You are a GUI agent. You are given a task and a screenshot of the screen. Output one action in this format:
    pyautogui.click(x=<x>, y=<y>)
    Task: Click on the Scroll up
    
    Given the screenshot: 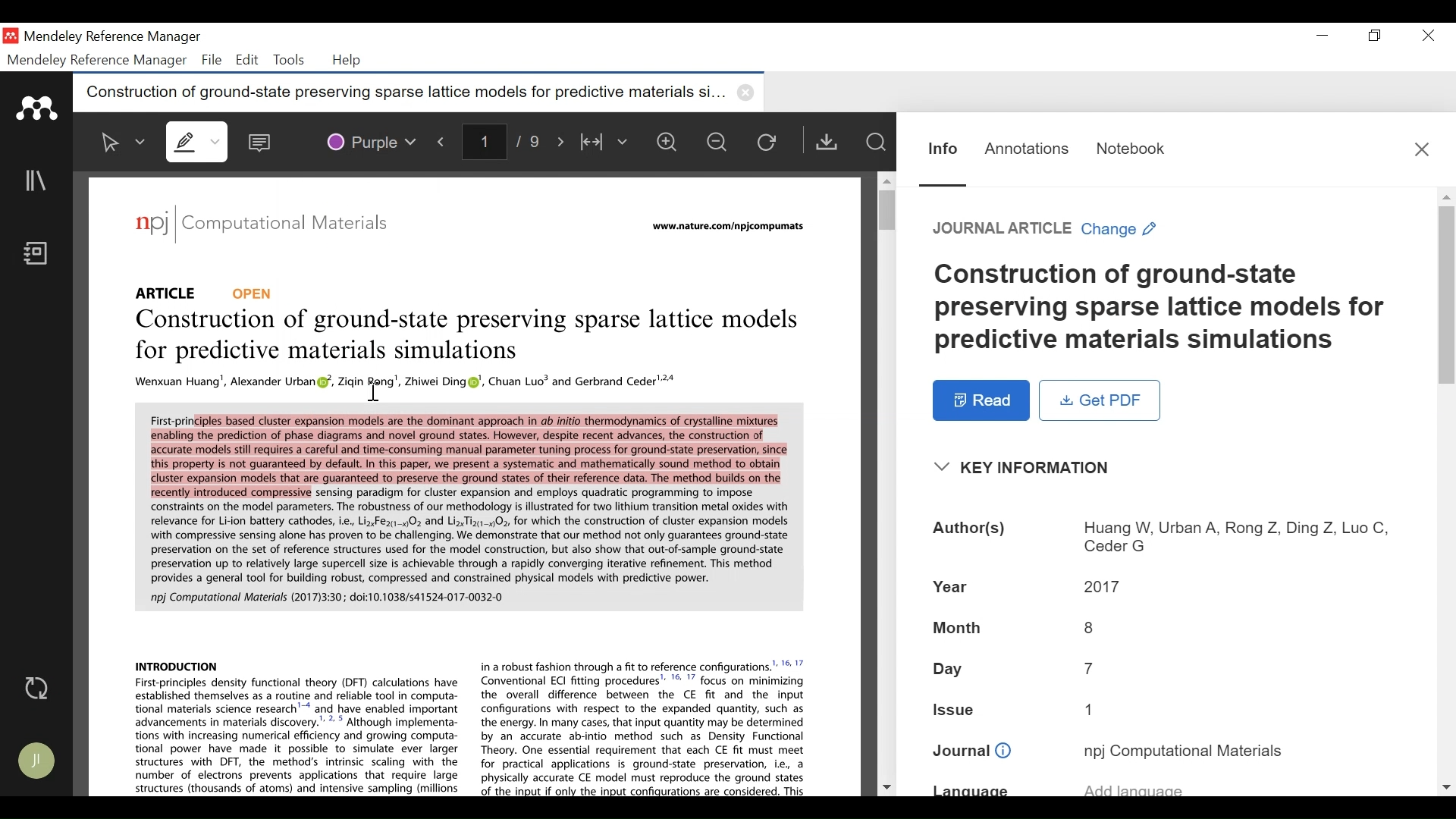 What is the action you would take?
    pyautogui.click(x=1445, y=196)
    